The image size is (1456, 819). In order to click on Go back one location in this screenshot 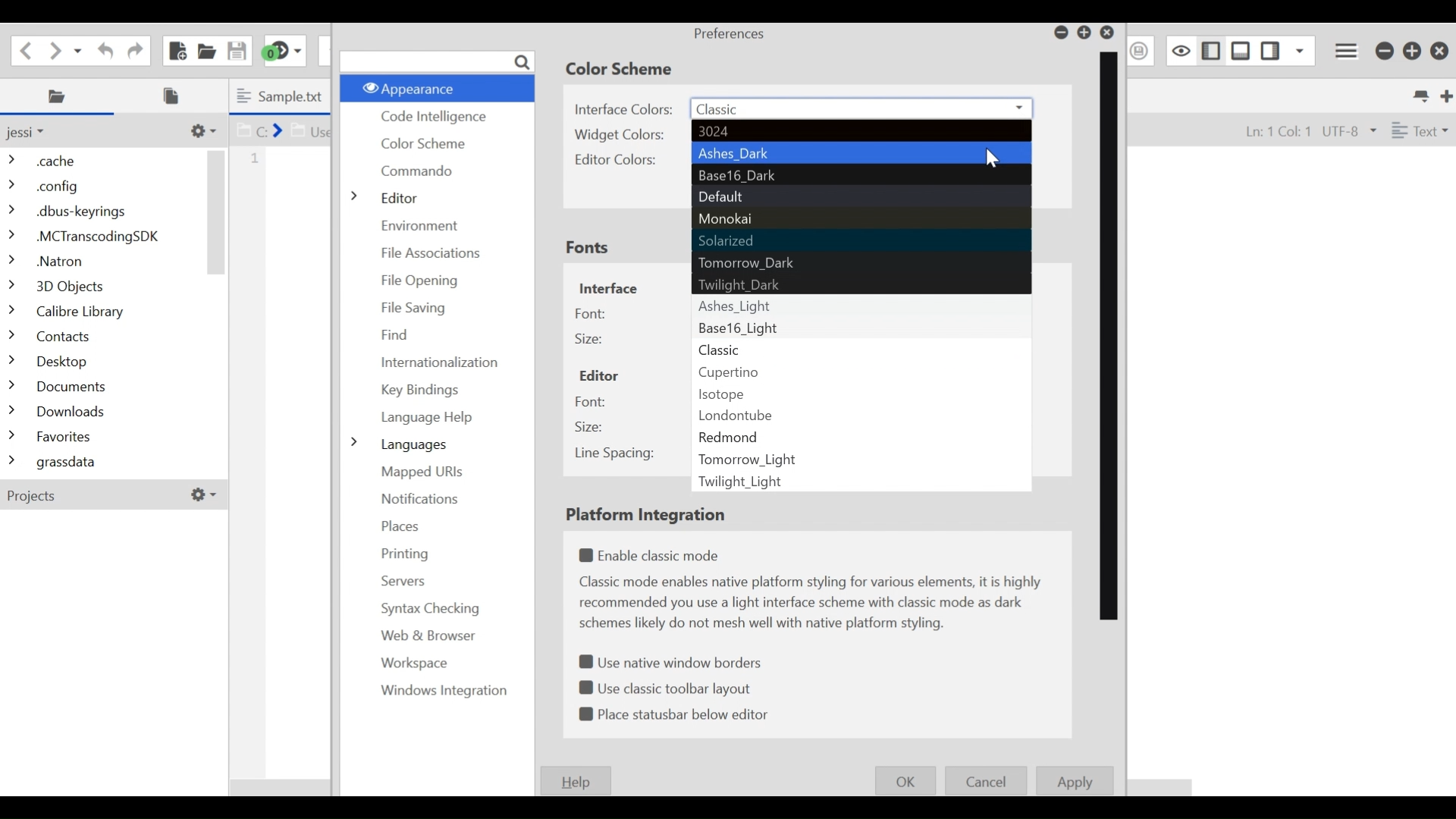, I will do `click(26, 49)`.